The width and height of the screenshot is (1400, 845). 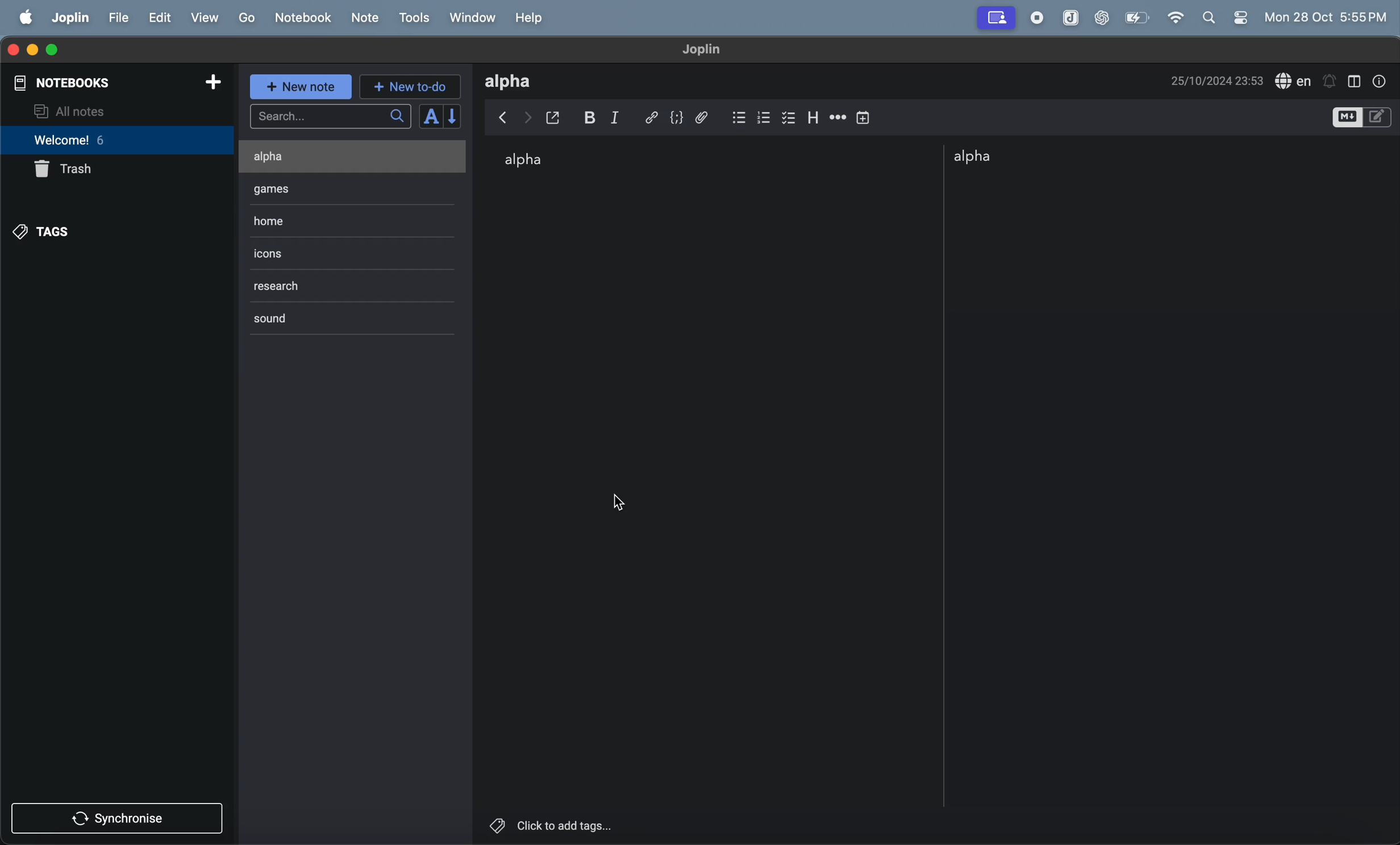 I want to click on note title alpha, so click(x=516, y=81).